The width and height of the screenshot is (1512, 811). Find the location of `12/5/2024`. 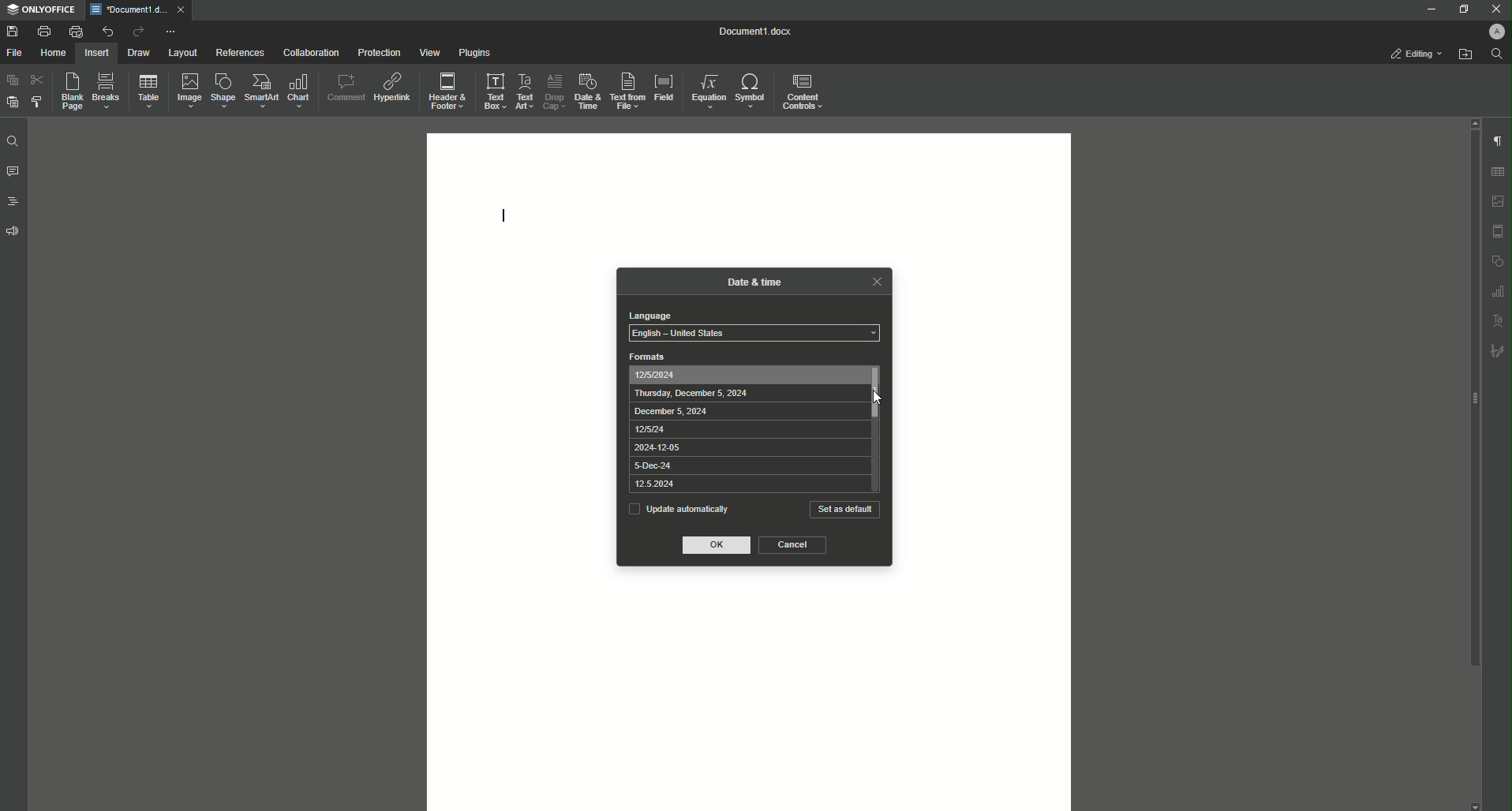

12/5/2024 is located at coordinates (656, 376).